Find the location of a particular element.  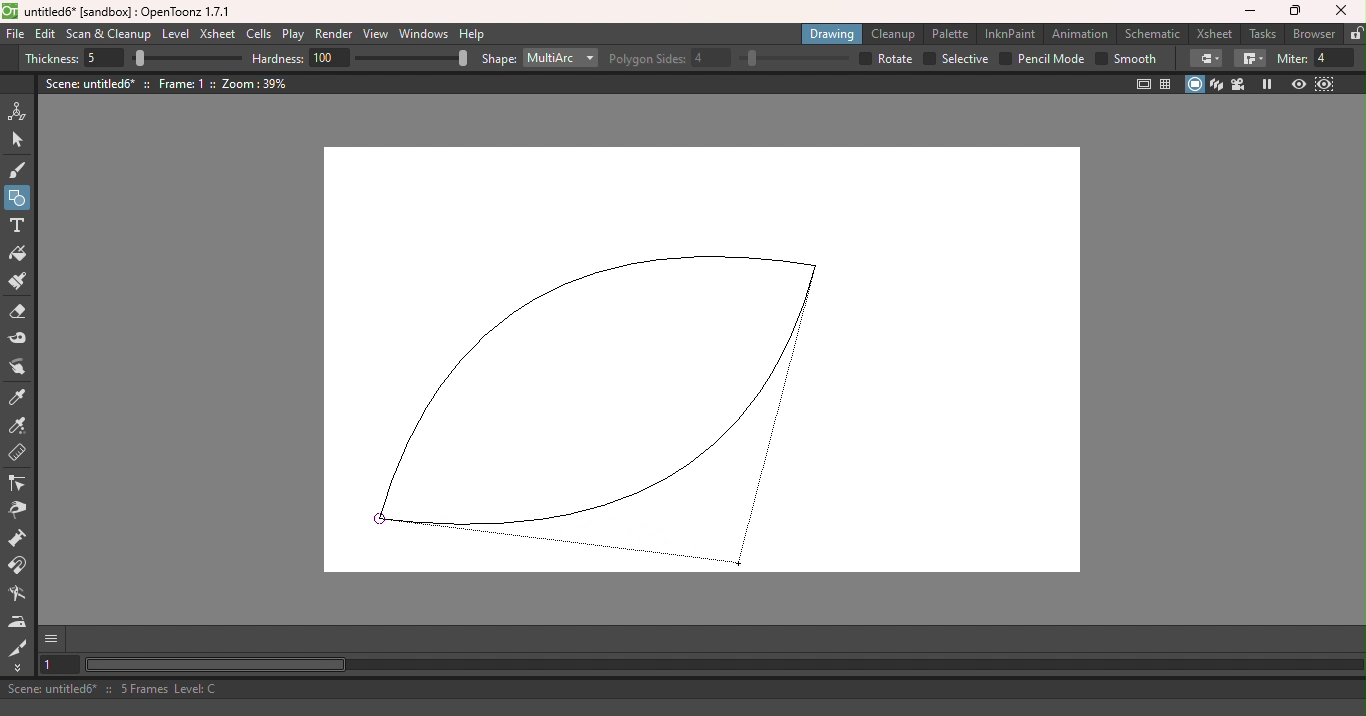

Close is located at coordinates (1344, 11).